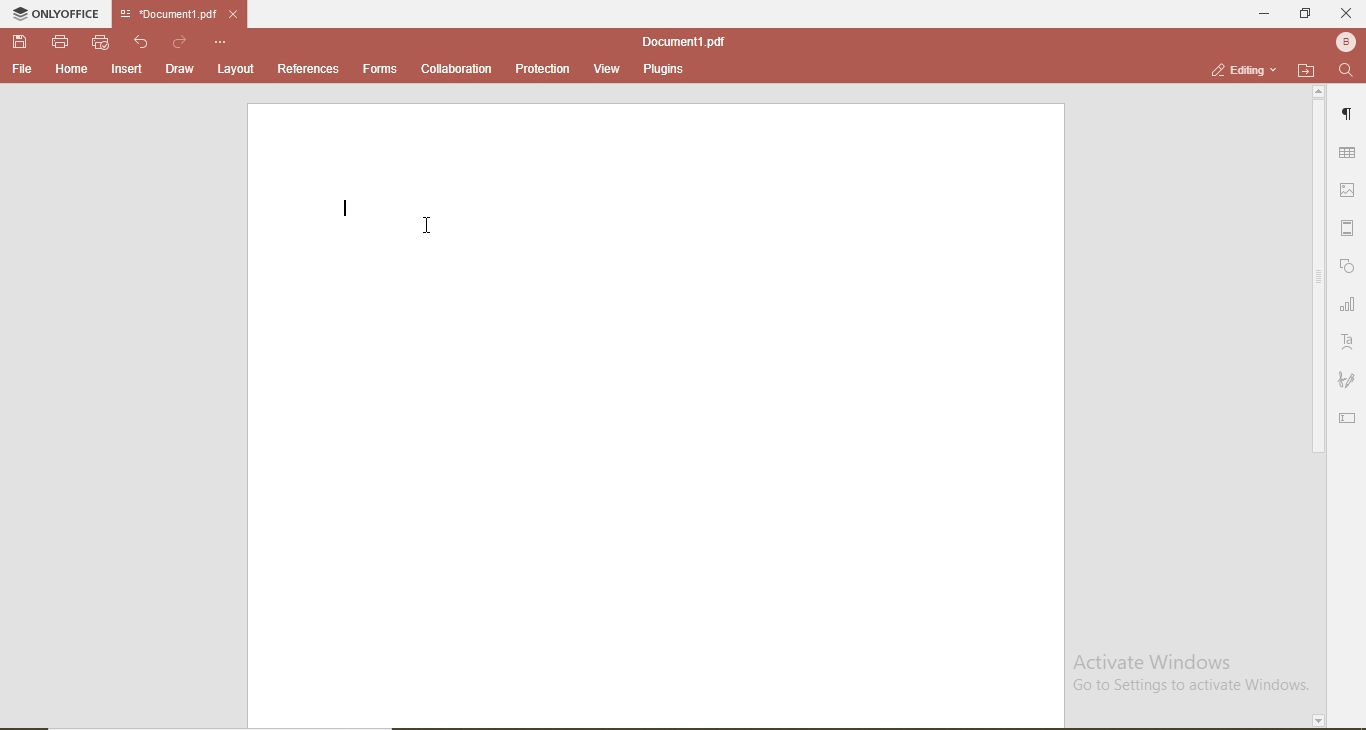 The height and width of the screenshot is (730, 1366). Describe the element at coordinates (353, 208) in the screenshot. I see `text cursor` at that location.